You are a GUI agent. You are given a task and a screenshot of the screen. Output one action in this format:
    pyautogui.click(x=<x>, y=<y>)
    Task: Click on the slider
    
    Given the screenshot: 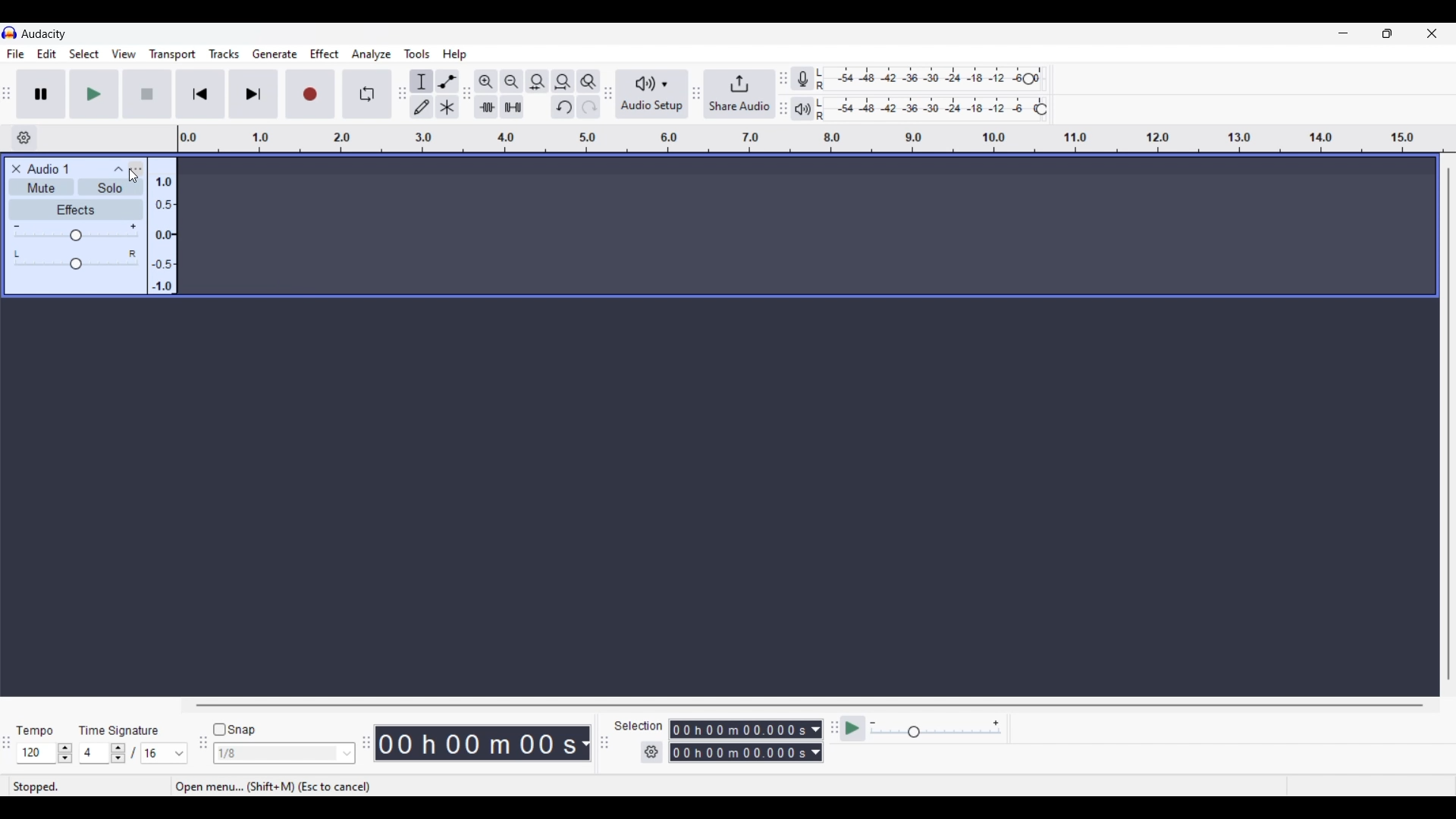 What is the action you would take?
    pyautogui.click(x=80, y=265)
    